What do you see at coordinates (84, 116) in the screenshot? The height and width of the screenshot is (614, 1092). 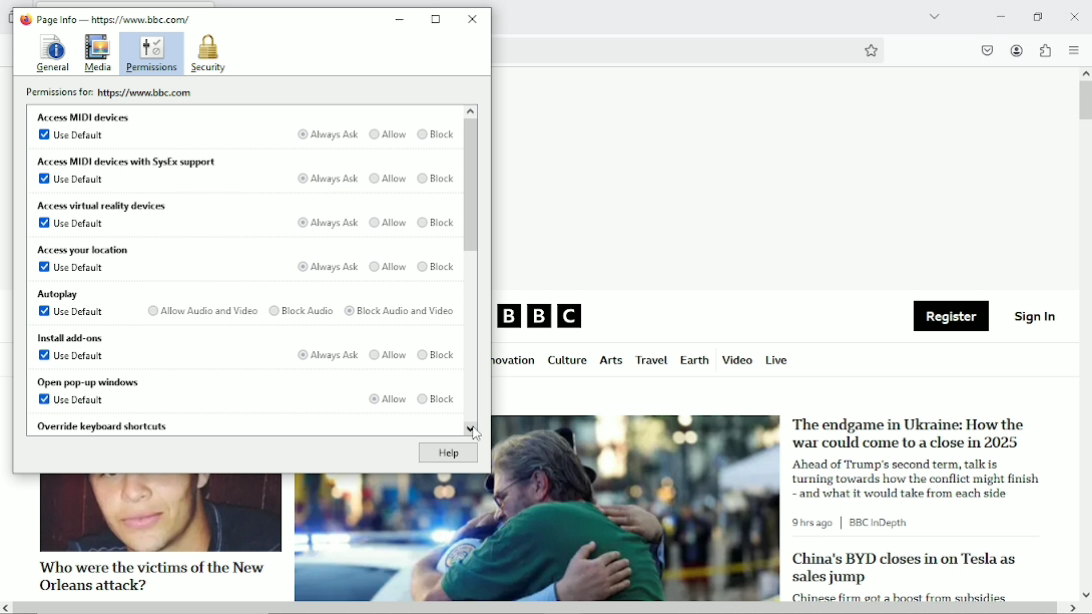 I see `Access MIDI devices` at bounding box center [84, 116].